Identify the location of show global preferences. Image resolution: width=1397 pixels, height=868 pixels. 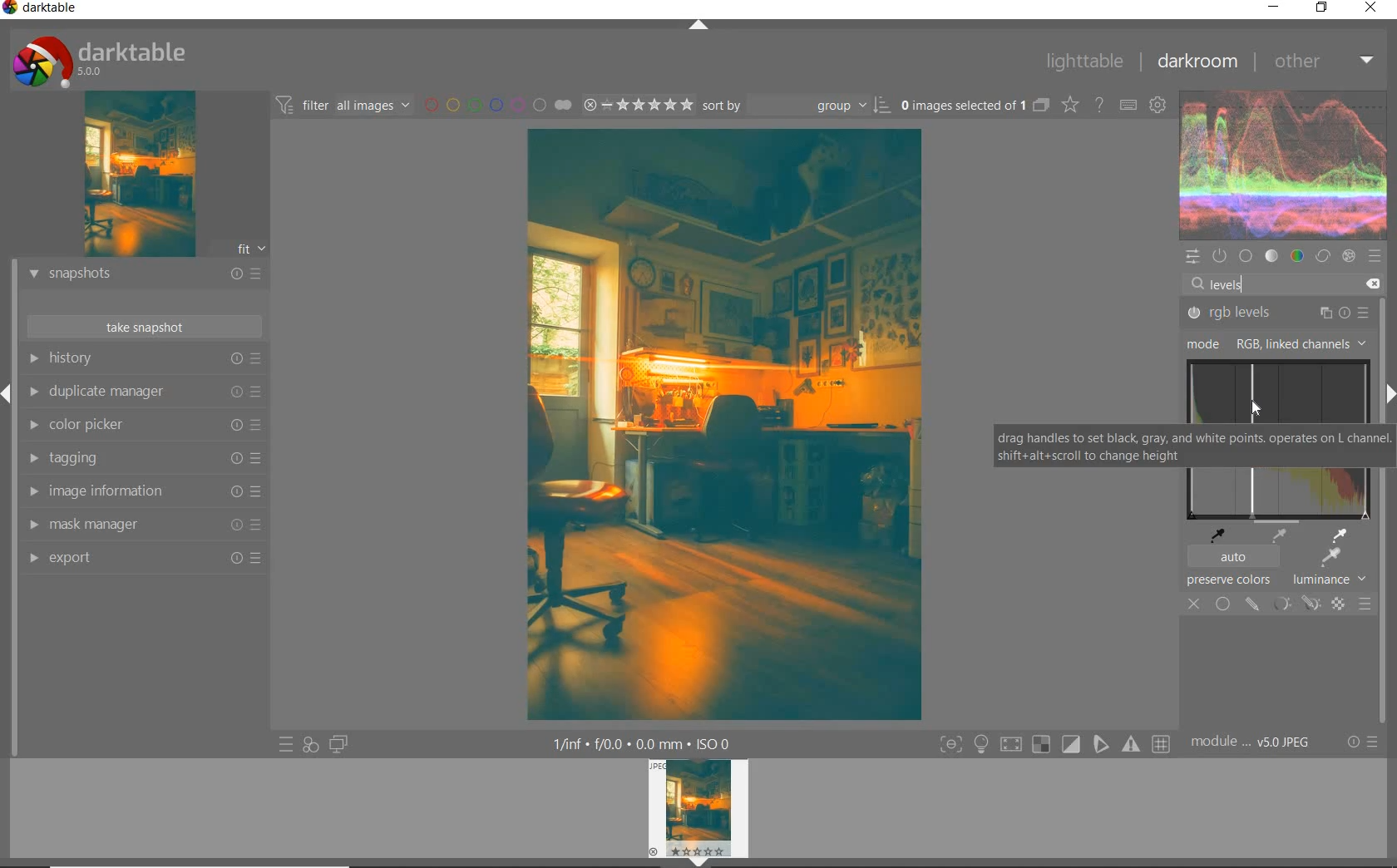
(1158, 106).